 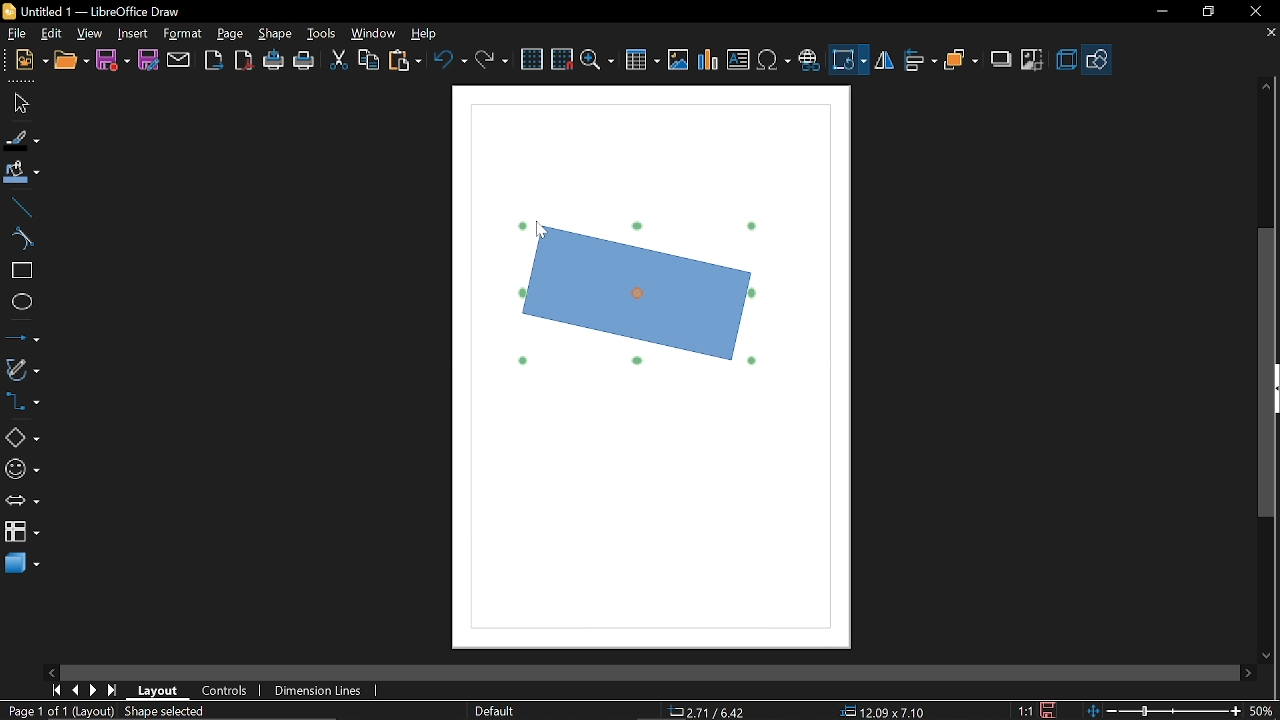 What do you see at coordinates (320, 35) in the screenshot?
I see `Tools` at bounding box center [320, 35].